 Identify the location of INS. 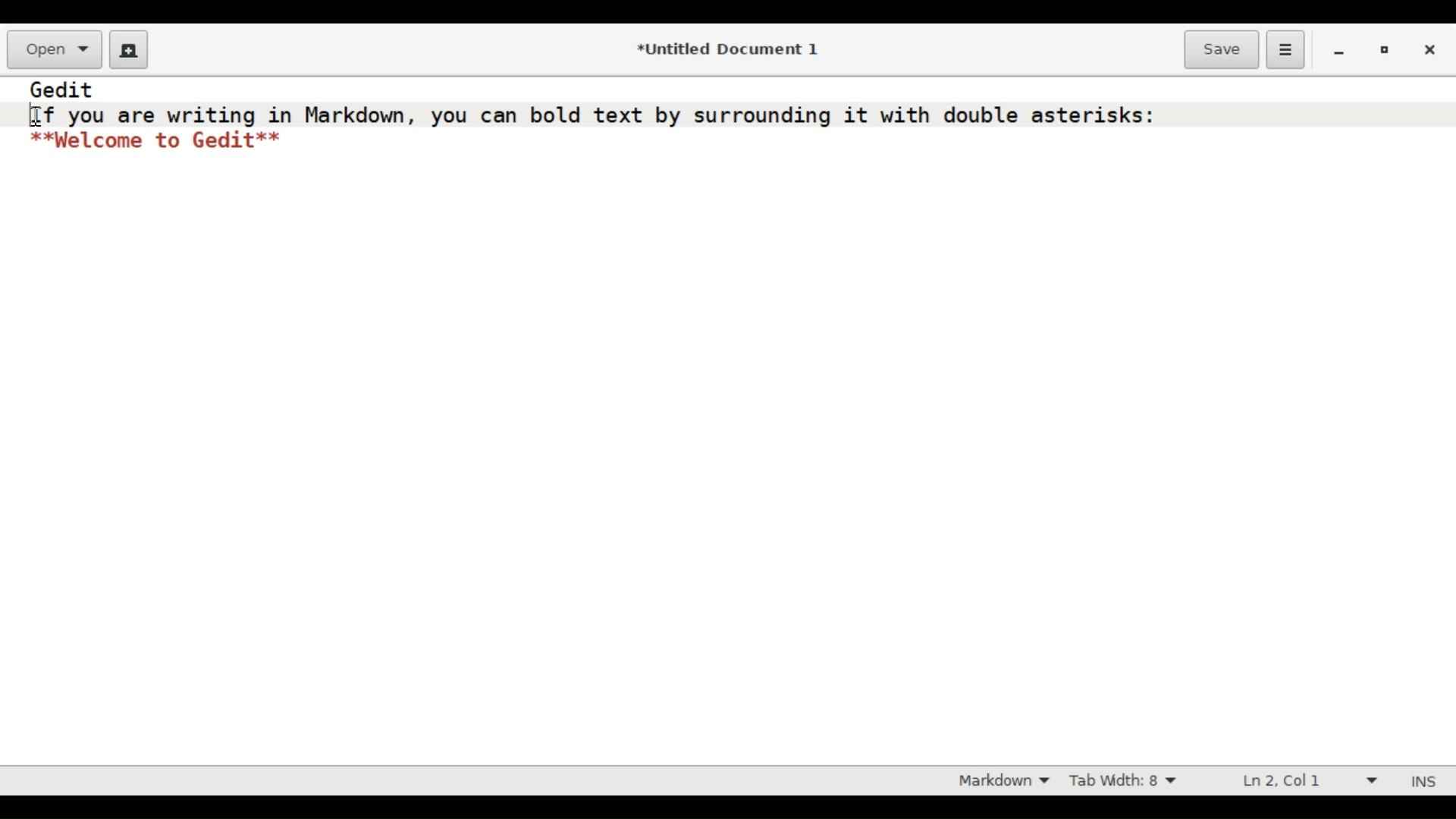
(1426, 781).